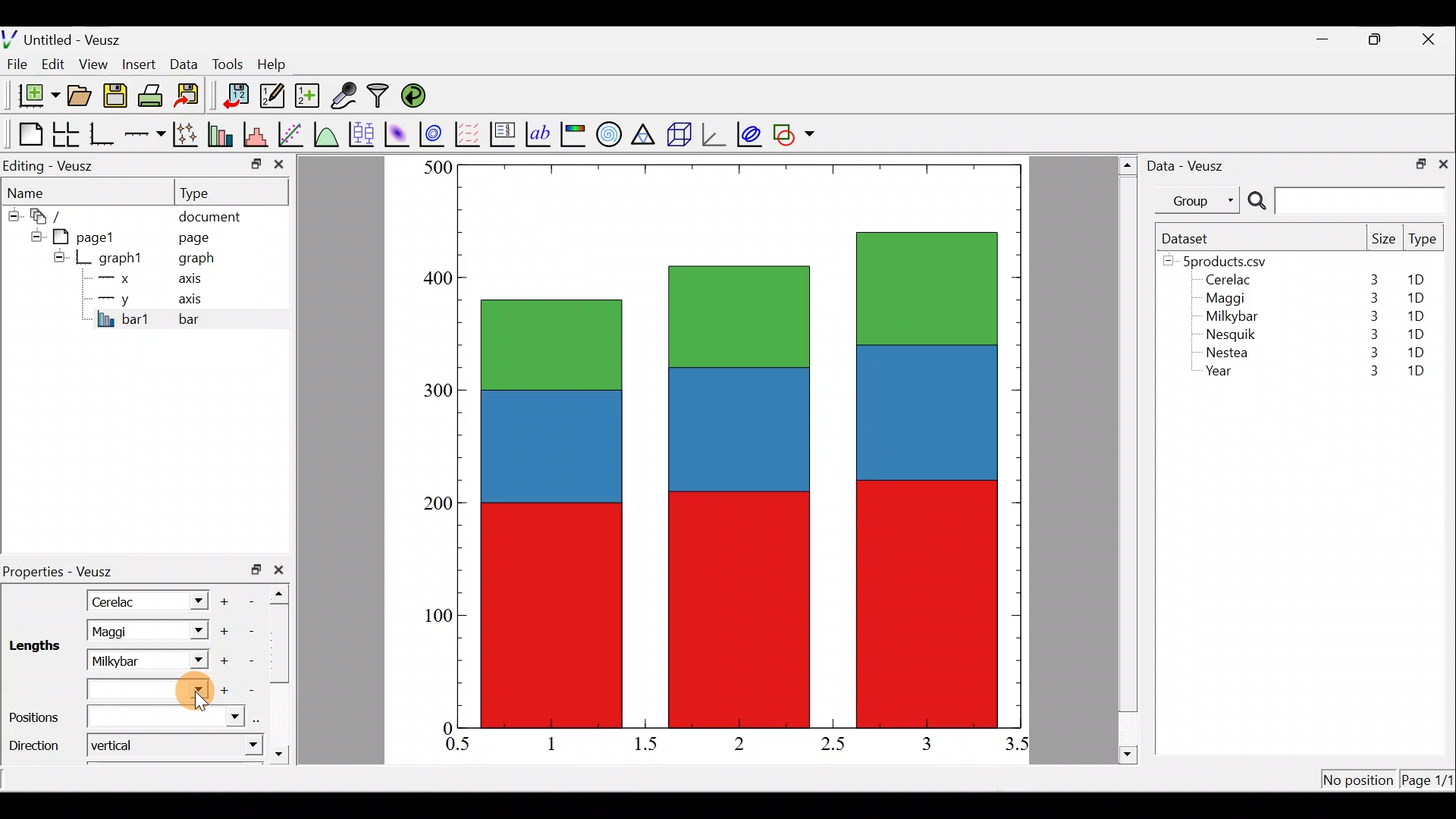 Image resolution: width=1456 pixels, height=819 pixels. What do you see at coordinates (103, 134) in the screenshot?
I see `Base graph` at bounding box center [103, 134].